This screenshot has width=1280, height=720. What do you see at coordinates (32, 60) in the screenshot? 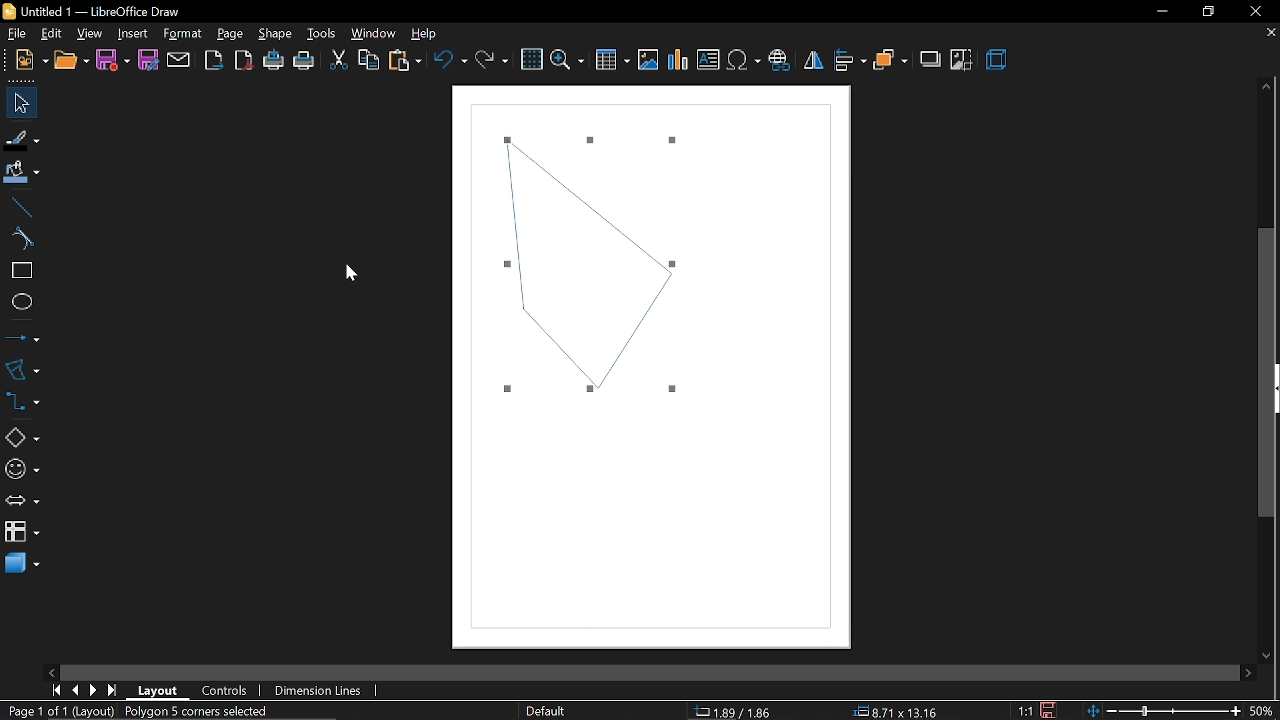
I see `new` at bounding box center [32, 60].